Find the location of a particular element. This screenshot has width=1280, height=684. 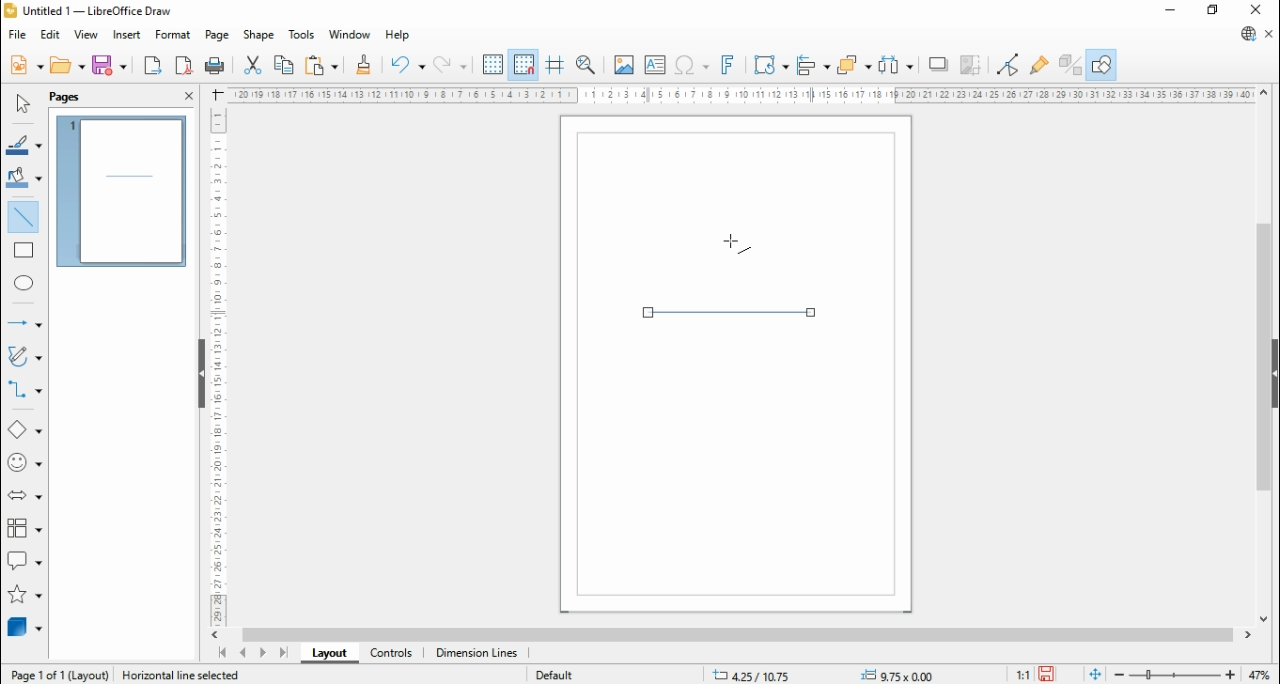

Scale is located at coordinates (218, 366).